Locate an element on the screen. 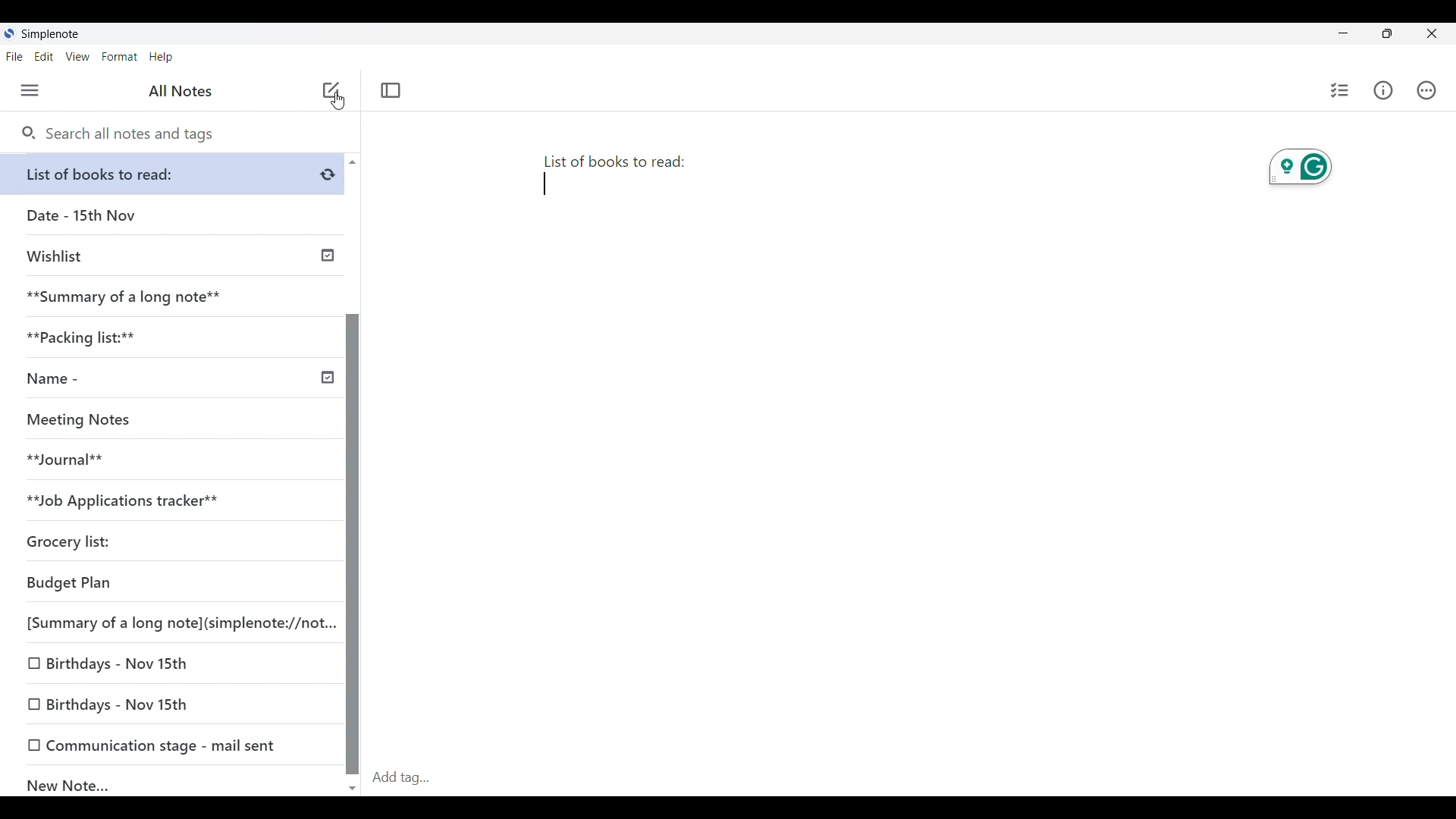 The image size is (1456, 819). Actions is located at coordinates (1426, 90).